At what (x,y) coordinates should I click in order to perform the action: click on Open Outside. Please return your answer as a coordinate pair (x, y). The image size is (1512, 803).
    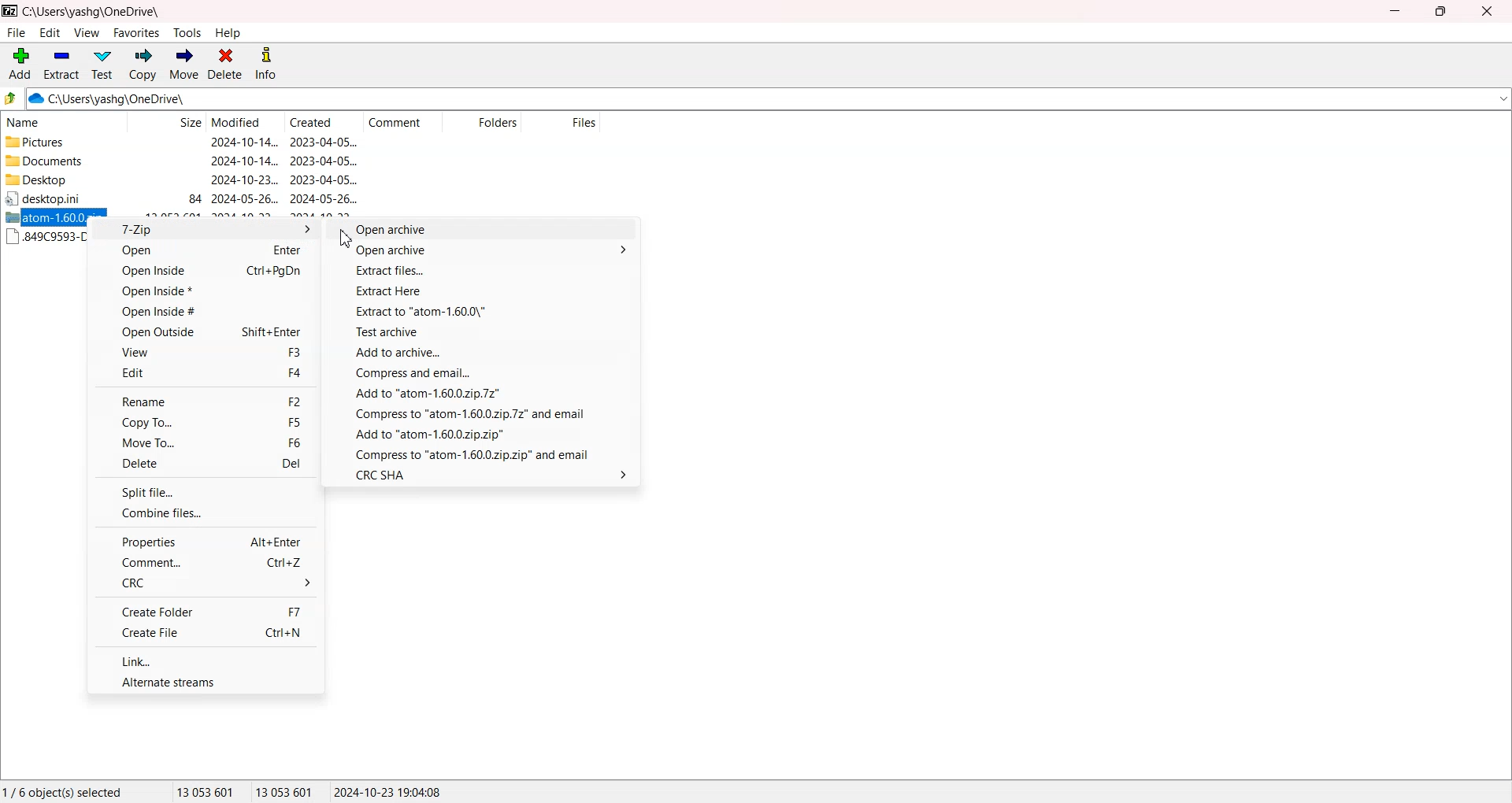
    Looking at the image, I should click on (204, 331).